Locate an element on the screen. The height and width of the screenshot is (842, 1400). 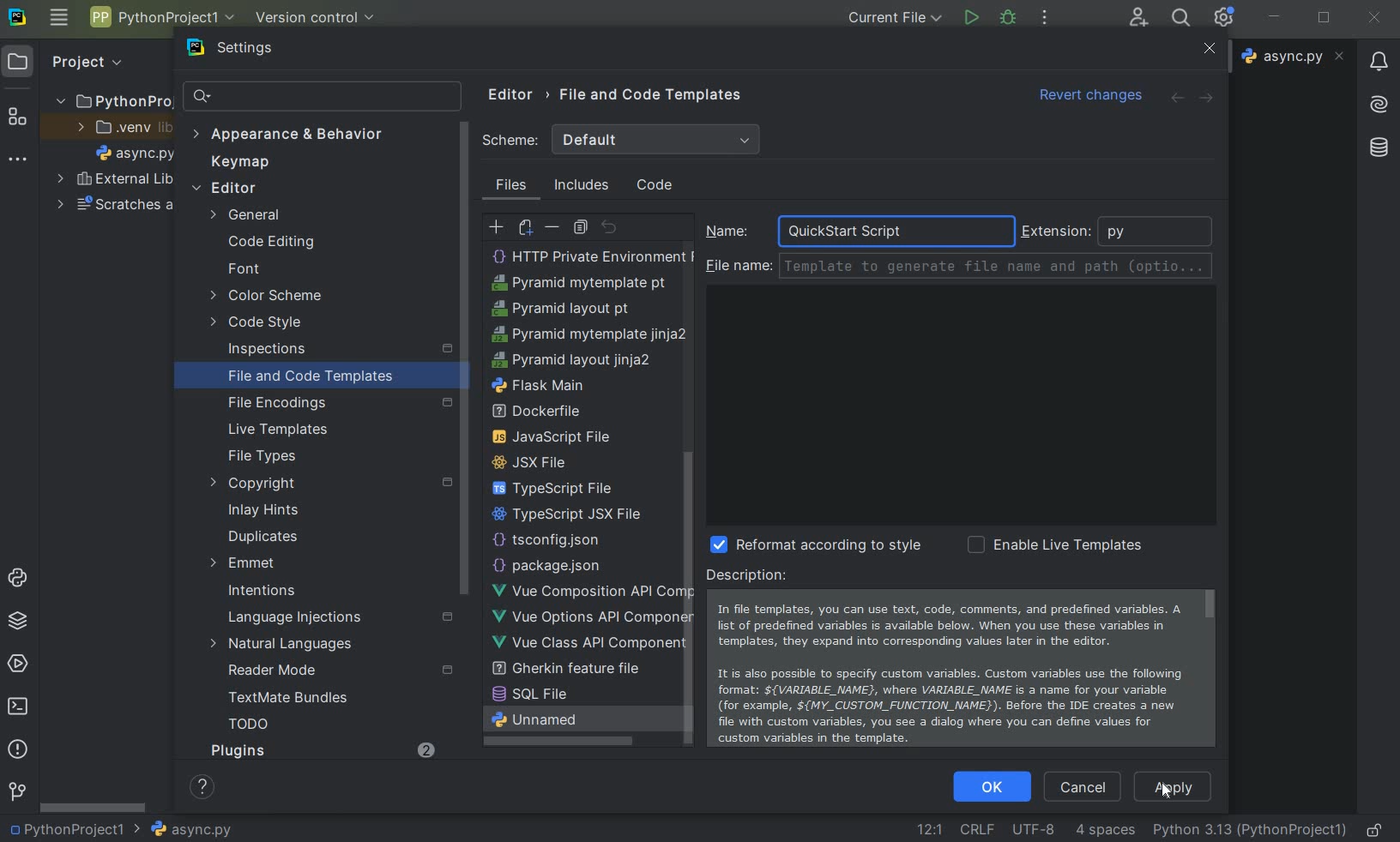
.venv is located at coordinates (124, 128).